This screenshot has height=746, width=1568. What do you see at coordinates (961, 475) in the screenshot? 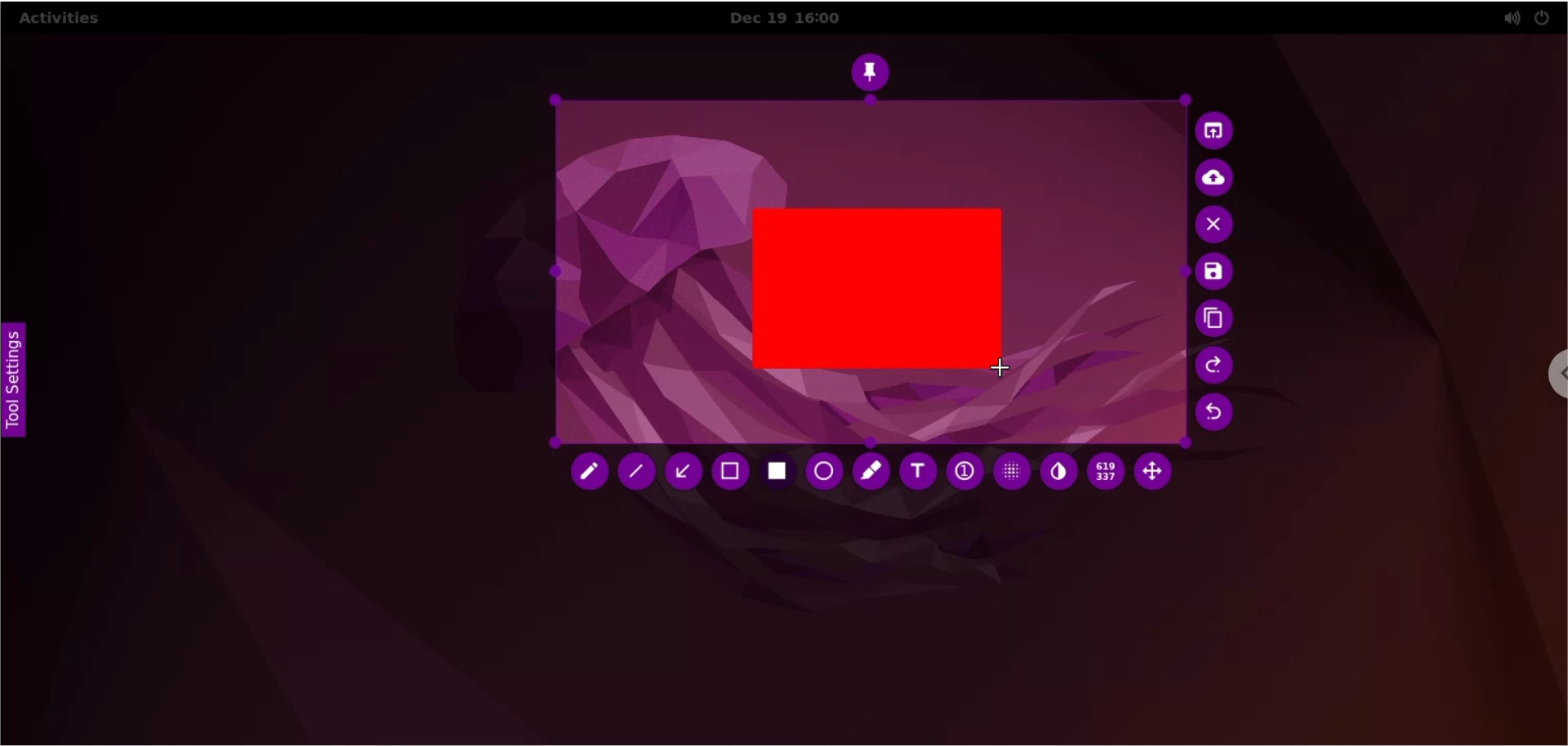
I see `auto increment ` at bounding box center [961, 475].